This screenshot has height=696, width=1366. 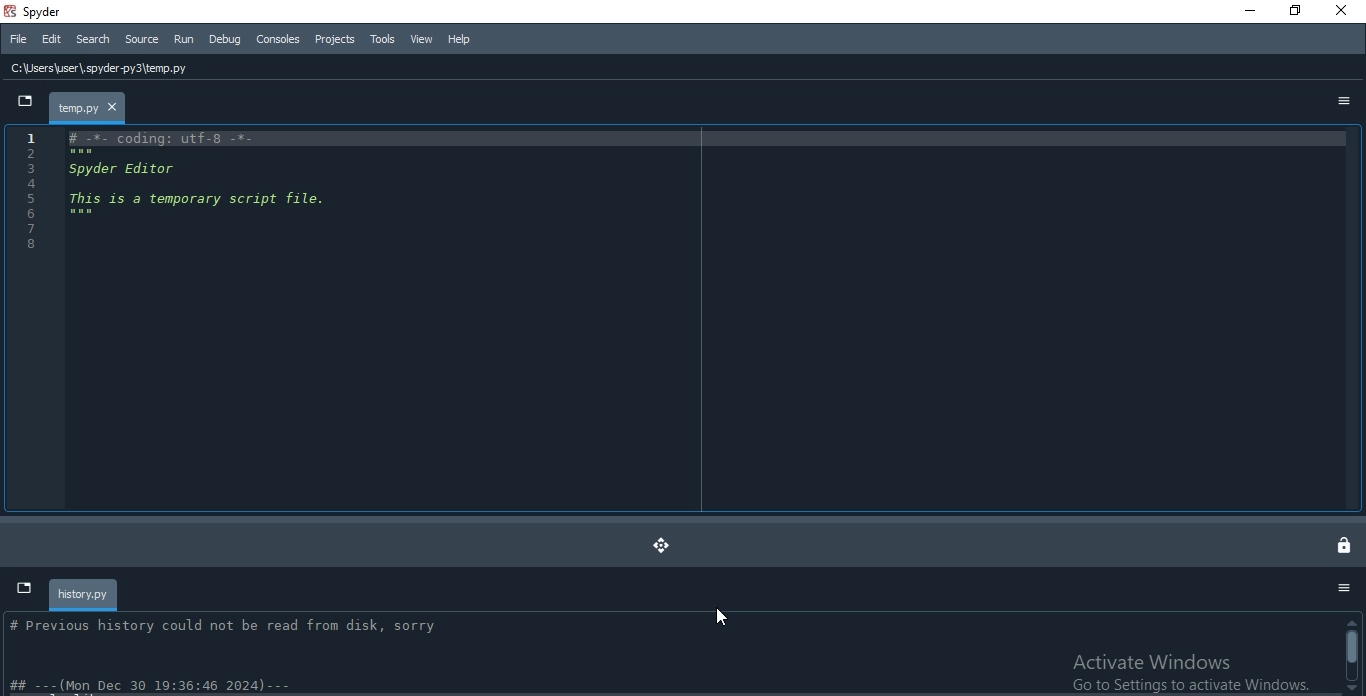 I want to click on View, so click(x=422, y=39).